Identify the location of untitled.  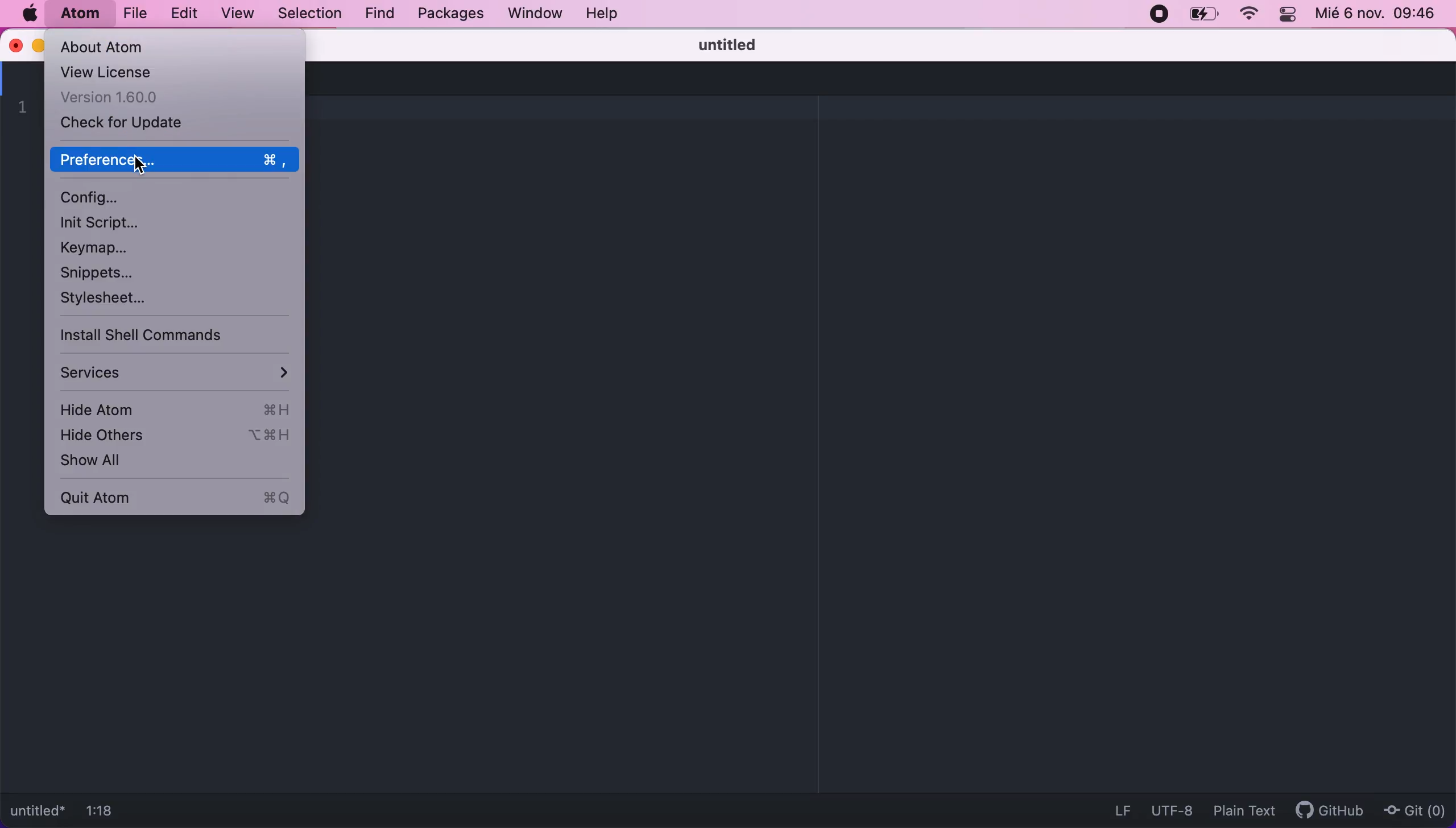
(728, 45).